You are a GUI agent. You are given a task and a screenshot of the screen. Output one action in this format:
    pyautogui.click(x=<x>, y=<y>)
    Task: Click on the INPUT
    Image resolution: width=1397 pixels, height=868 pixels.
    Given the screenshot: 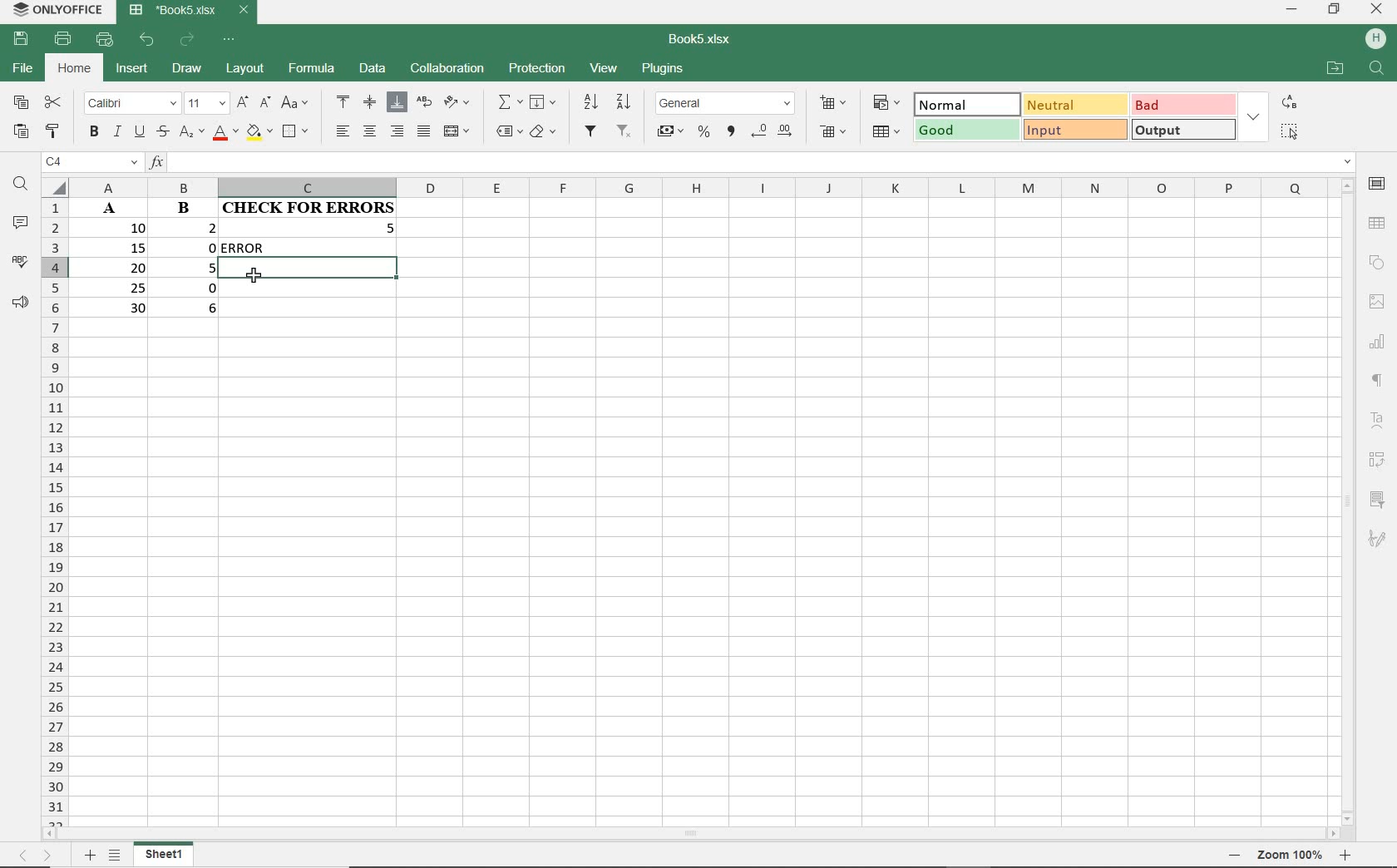 What is the action you would take?
    pyautogui.click(x=1074, y=129)
    